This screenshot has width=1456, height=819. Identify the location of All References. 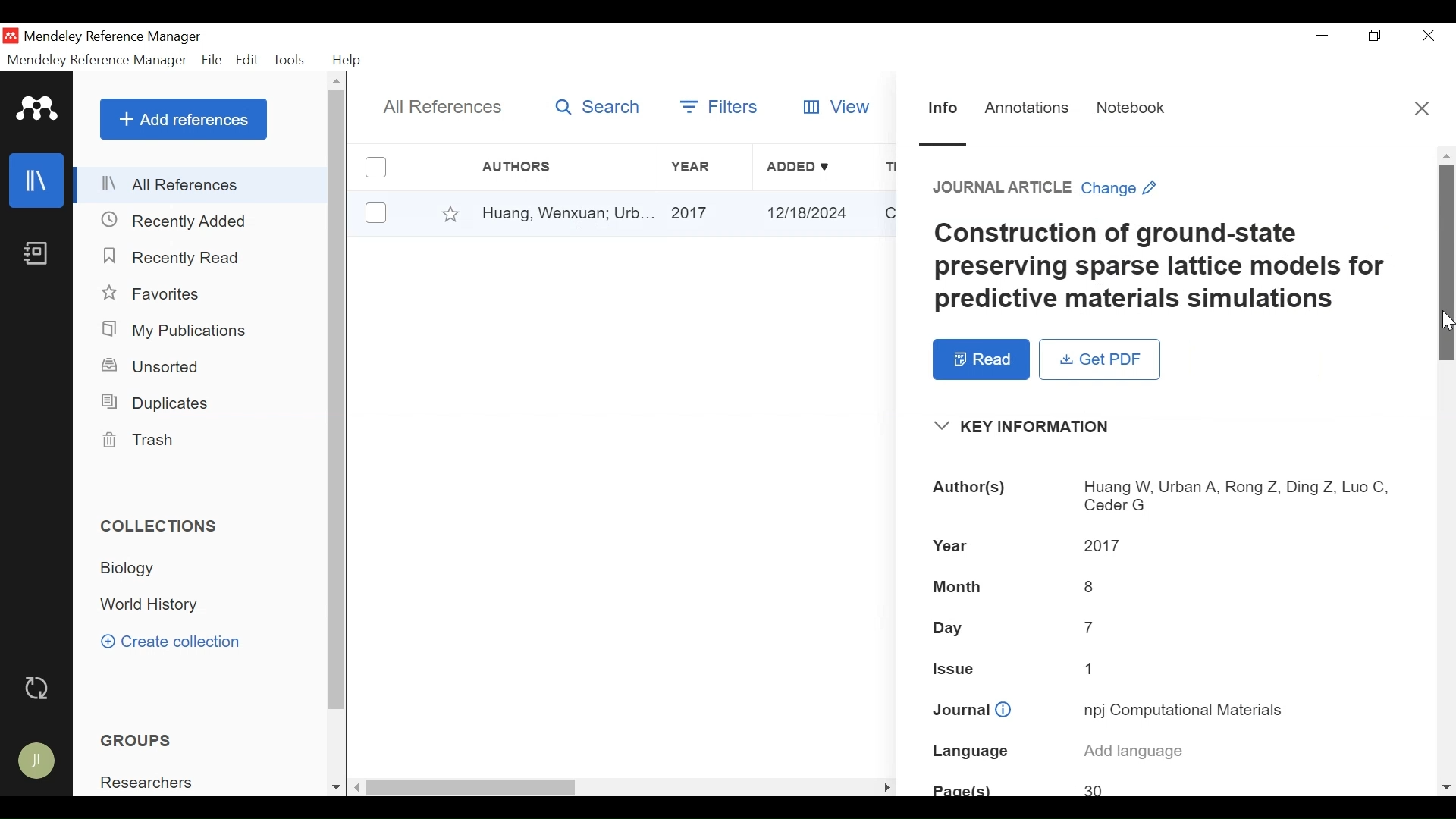
(202, 184).